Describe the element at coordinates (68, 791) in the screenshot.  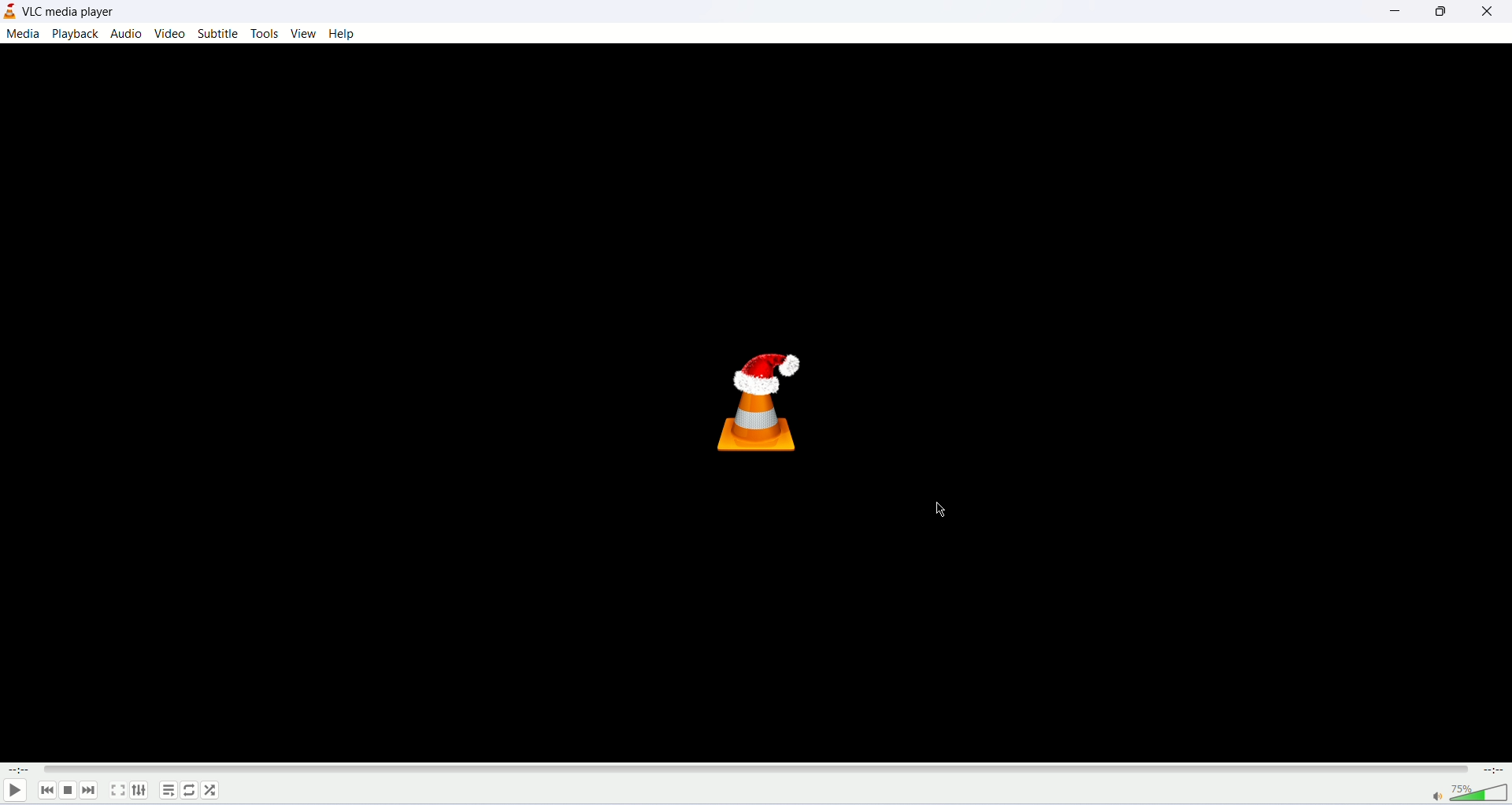
I see `stop` at that location.